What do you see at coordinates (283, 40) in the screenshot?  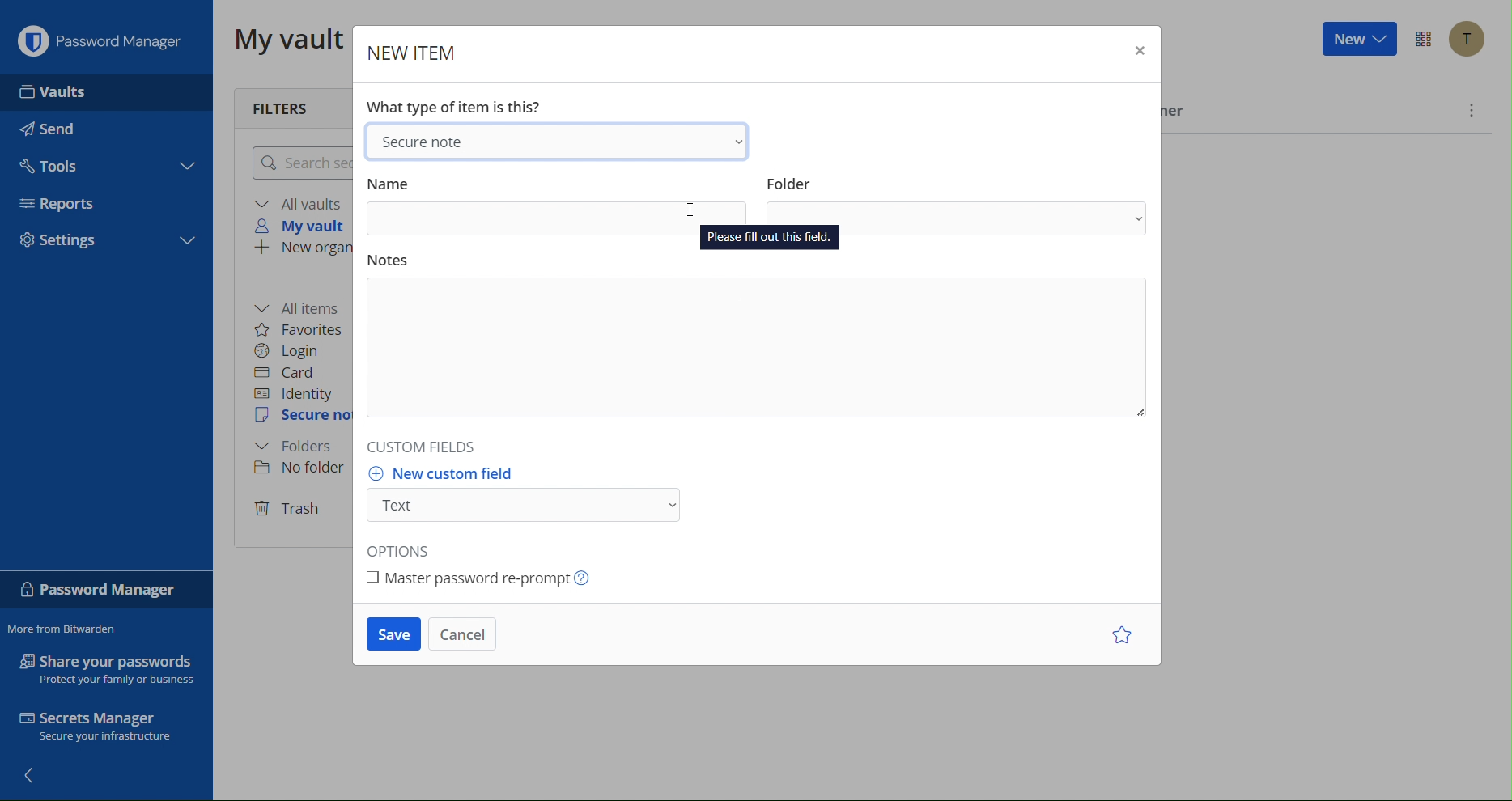 I see `My vault` at bounding box center [283, 40].